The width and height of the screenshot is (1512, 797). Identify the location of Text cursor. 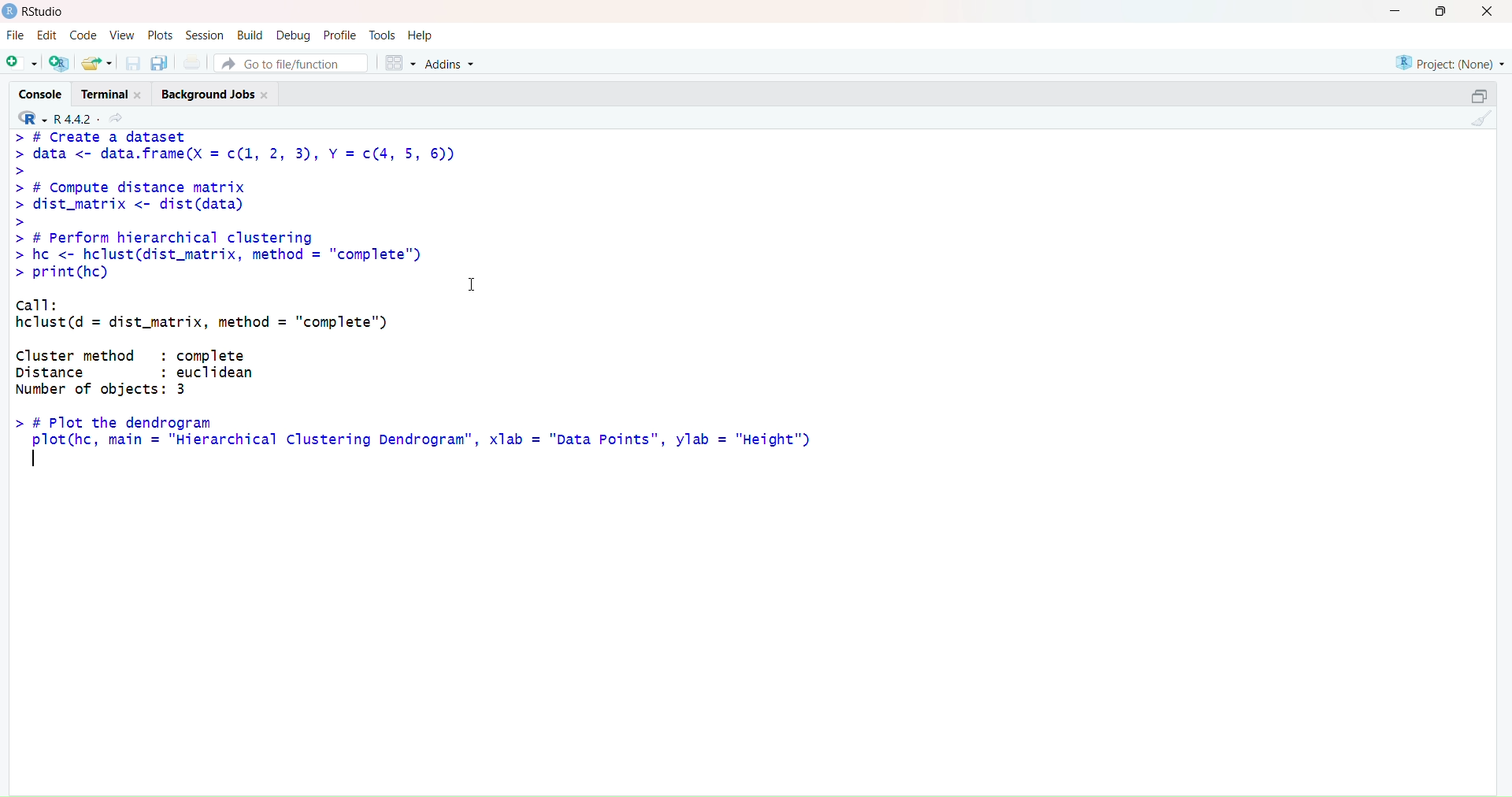
(470, 284).